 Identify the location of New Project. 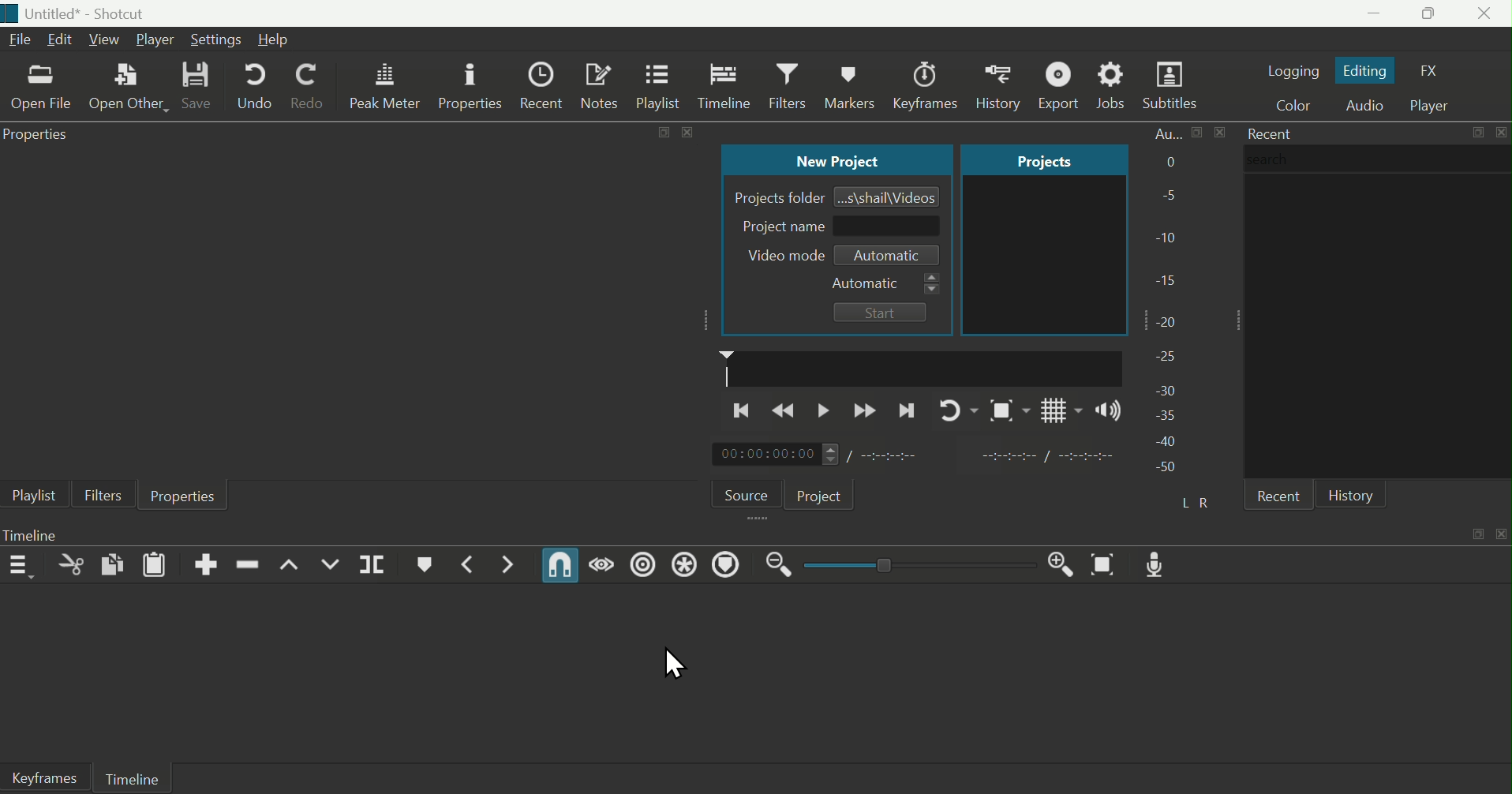
(833, 161).